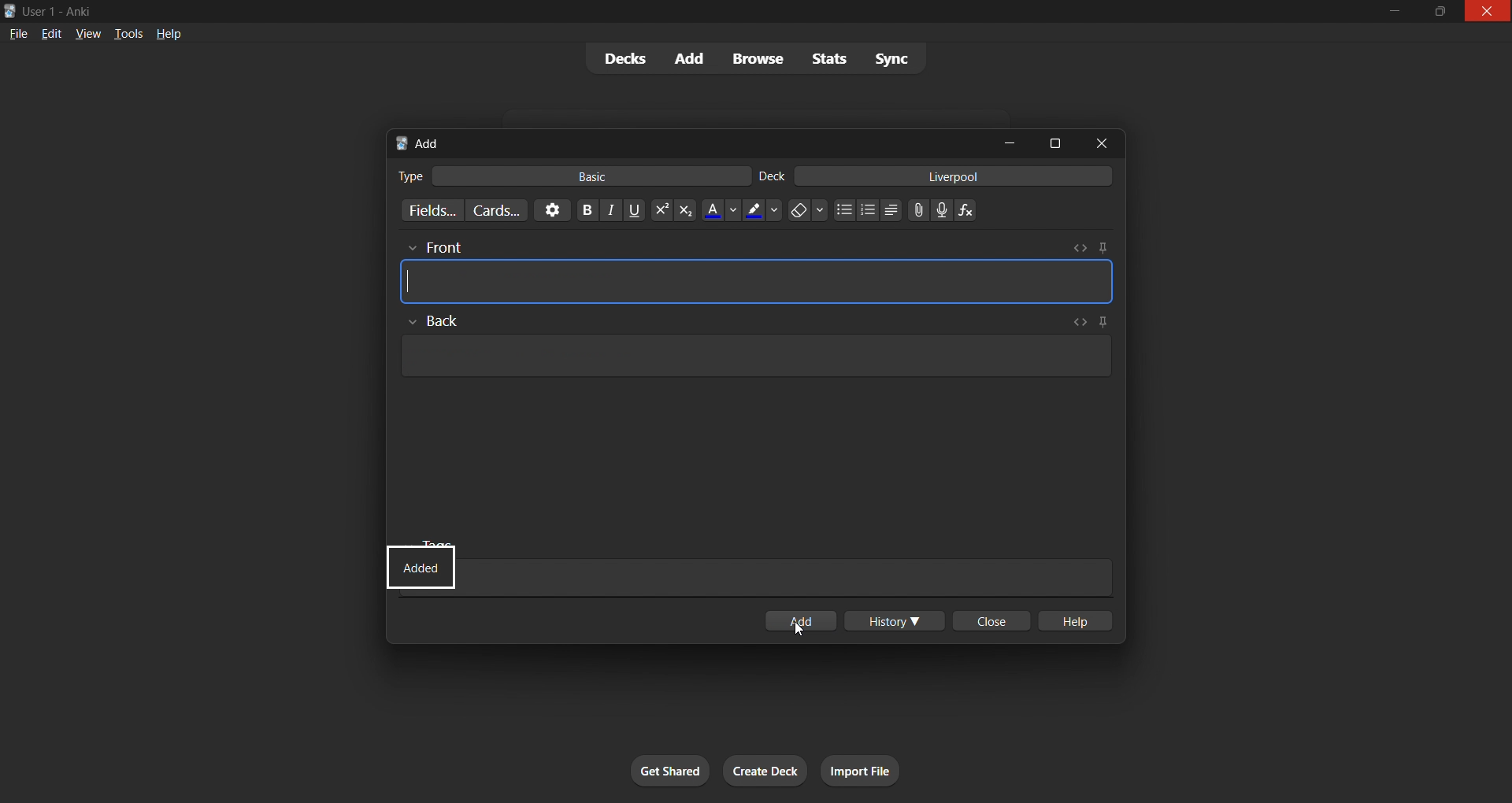 This screenshot has width=1512, height=803. Describe the element at coordinates (806, 211) in the screenshot. I see `erase formatting` at that location.